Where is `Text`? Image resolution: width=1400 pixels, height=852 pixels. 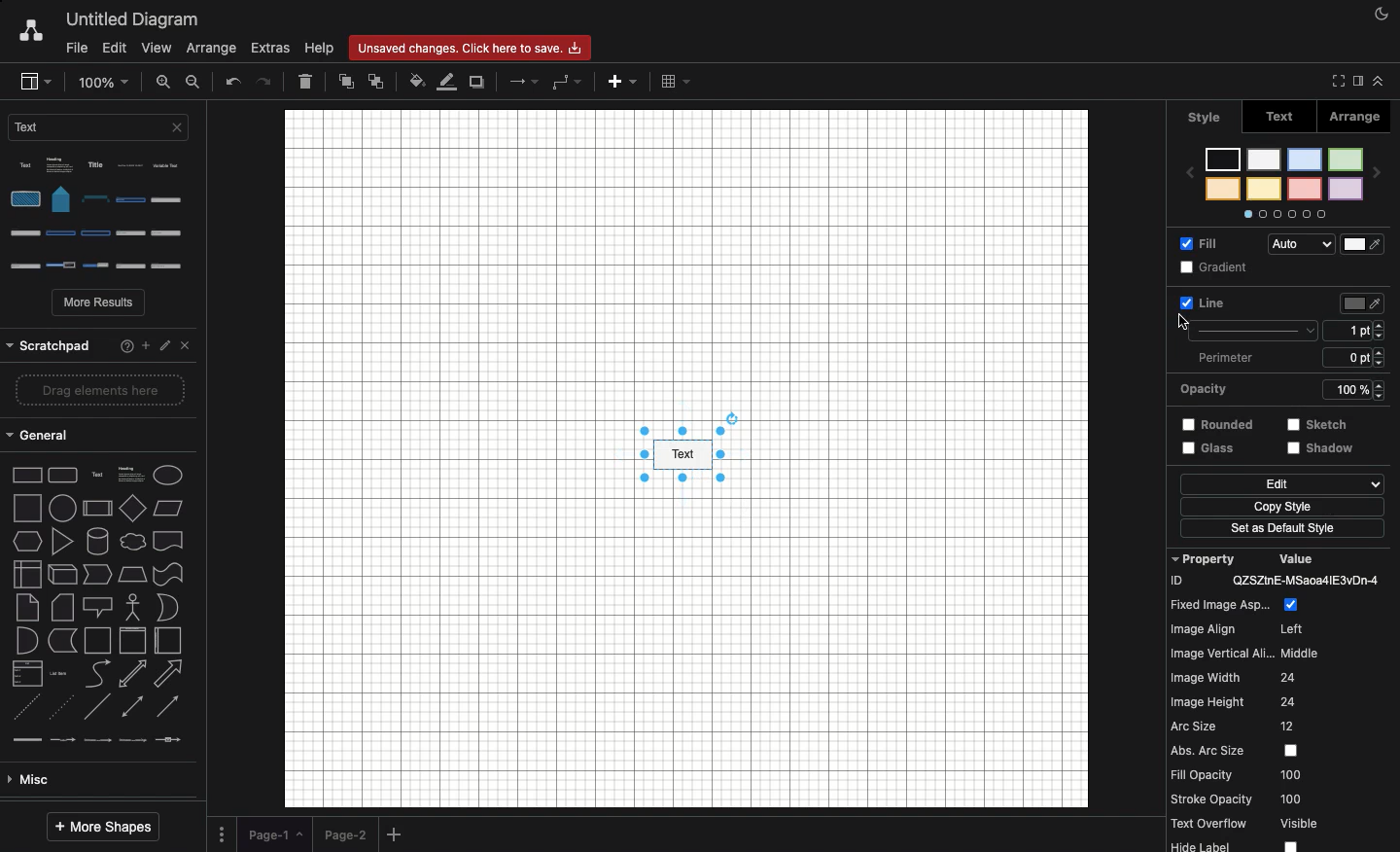 Text is located at coordinates (102, 132).